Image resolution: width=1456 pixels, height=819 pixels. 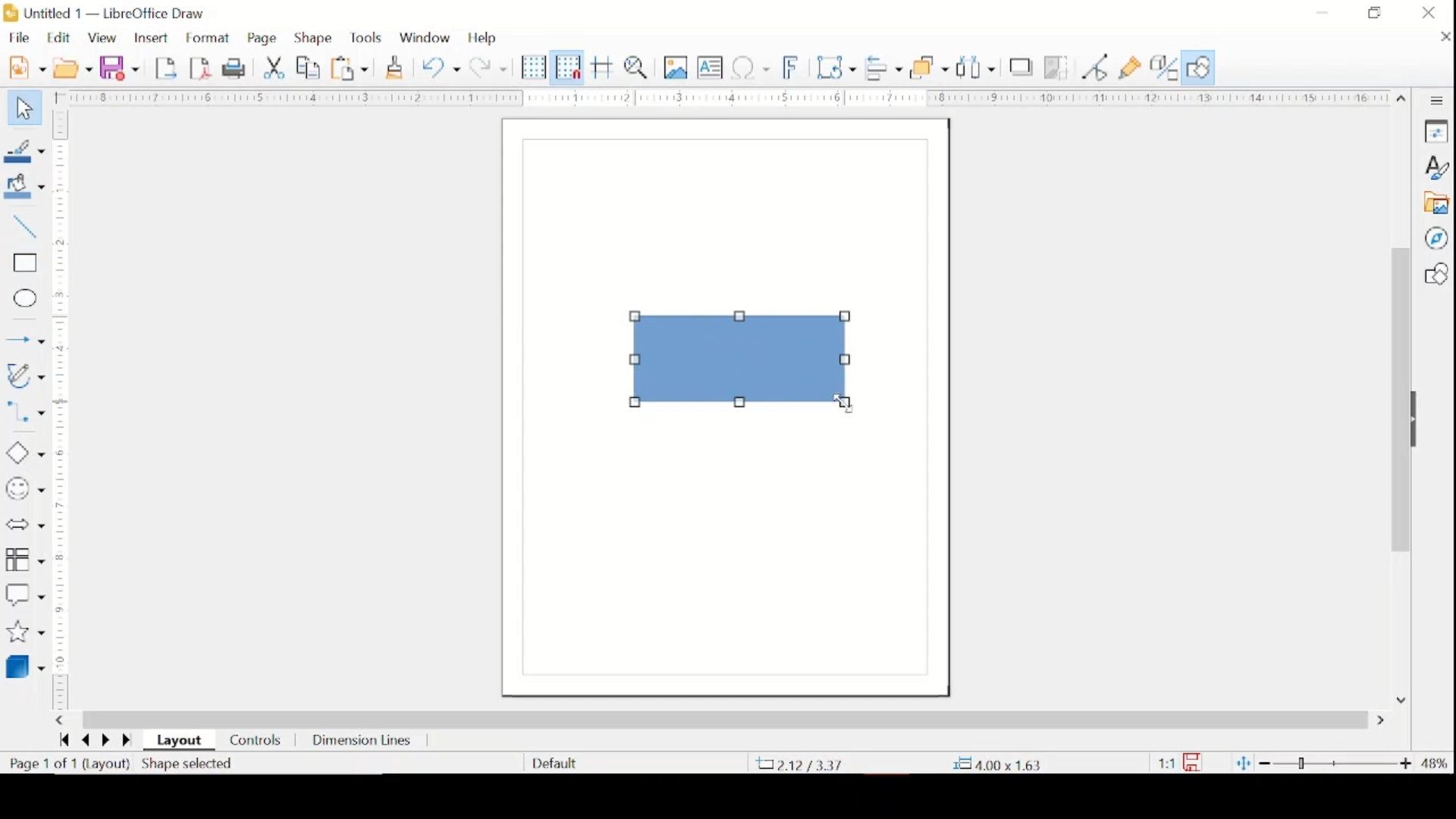 What do you see at coordinates (61, 37) in the screenshot?
I see `edit` at bounding box center [61, 37].